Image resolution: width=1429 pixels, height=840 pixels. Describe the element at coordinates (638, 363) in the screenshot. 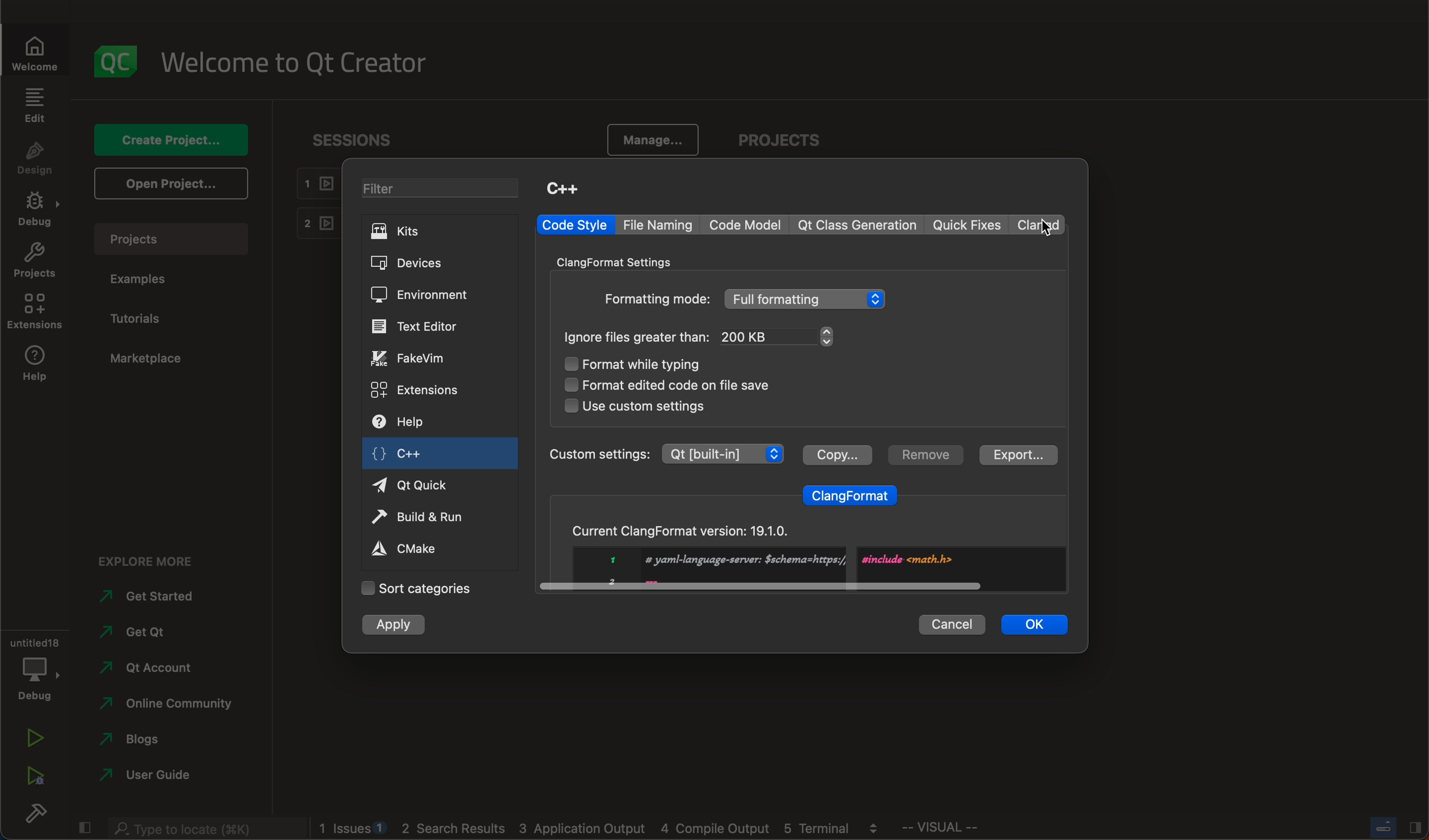

I see `format while typing` at that location.